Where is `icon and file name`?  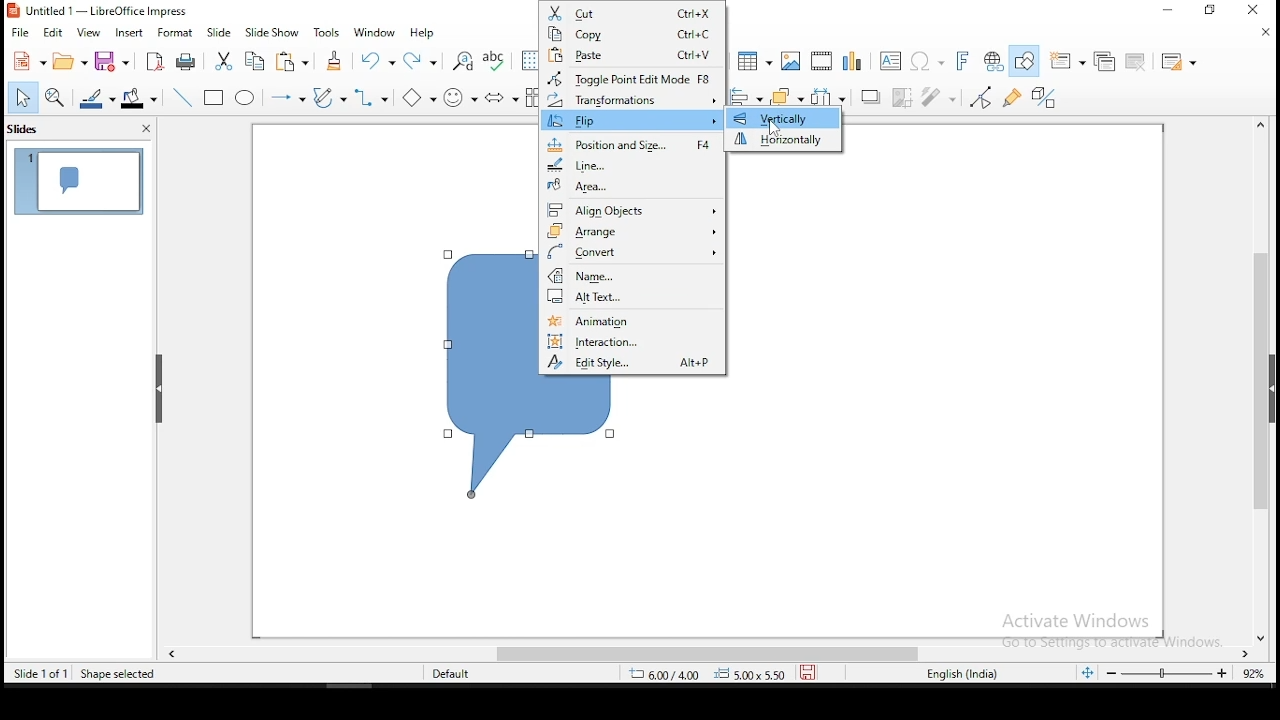 icon and file name is located at coordinates (102, 10).